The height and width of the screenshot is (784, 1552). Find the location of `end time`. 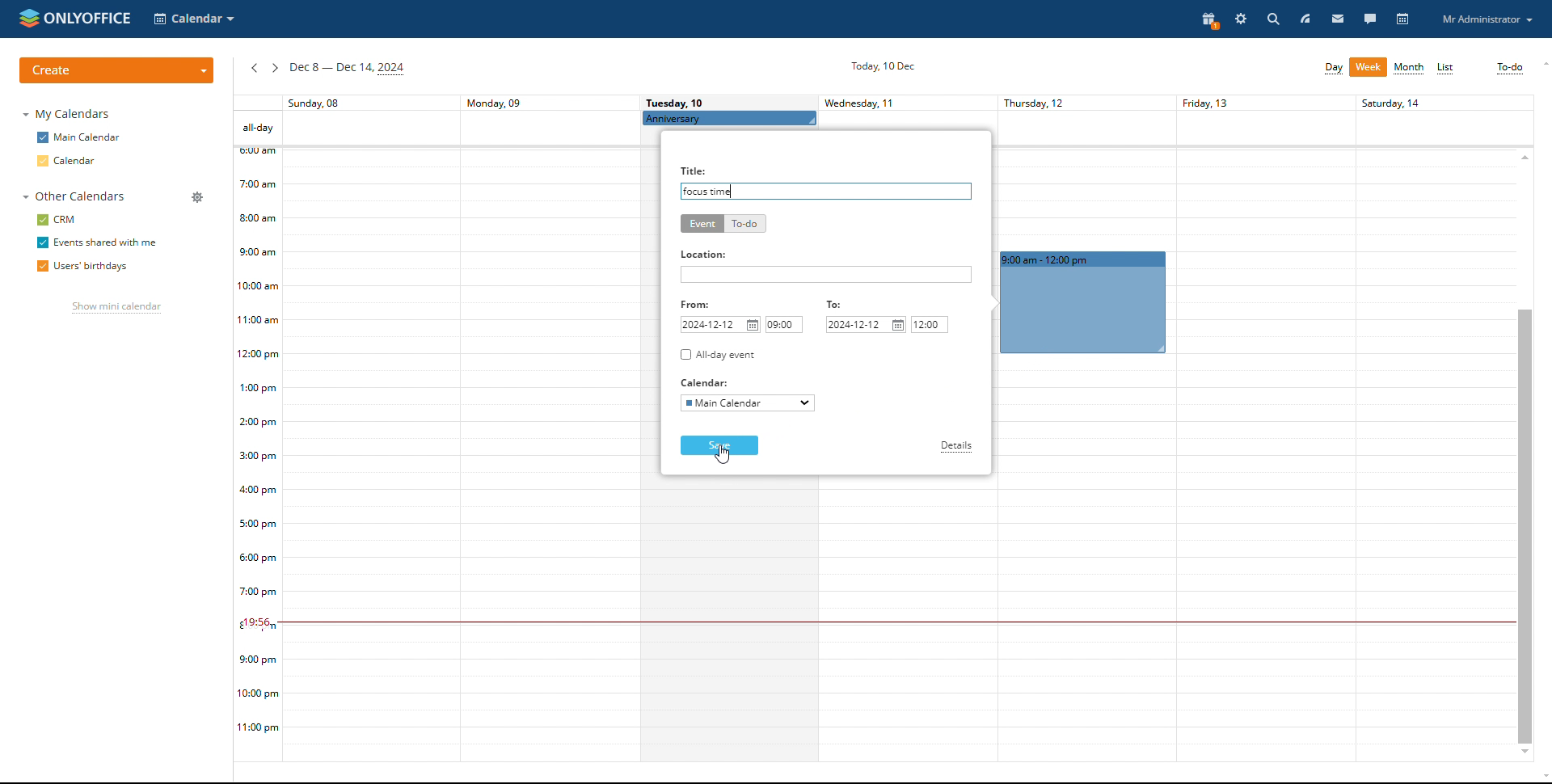

end time is located at coordinates (930, 324).